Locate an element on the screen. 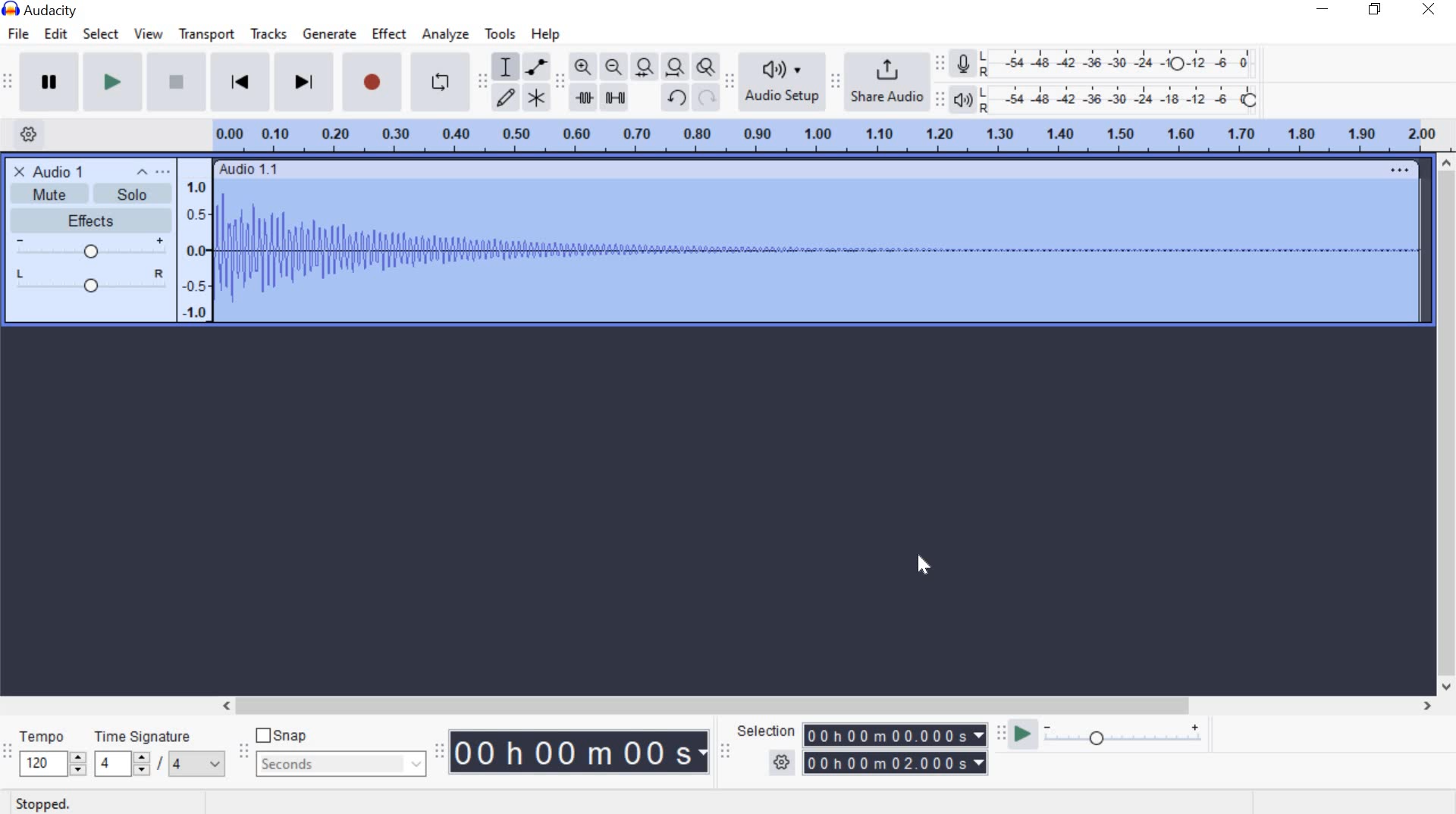 The width and height of the screenshot is (1456, 814). snap is located at coordinates (281, 734).